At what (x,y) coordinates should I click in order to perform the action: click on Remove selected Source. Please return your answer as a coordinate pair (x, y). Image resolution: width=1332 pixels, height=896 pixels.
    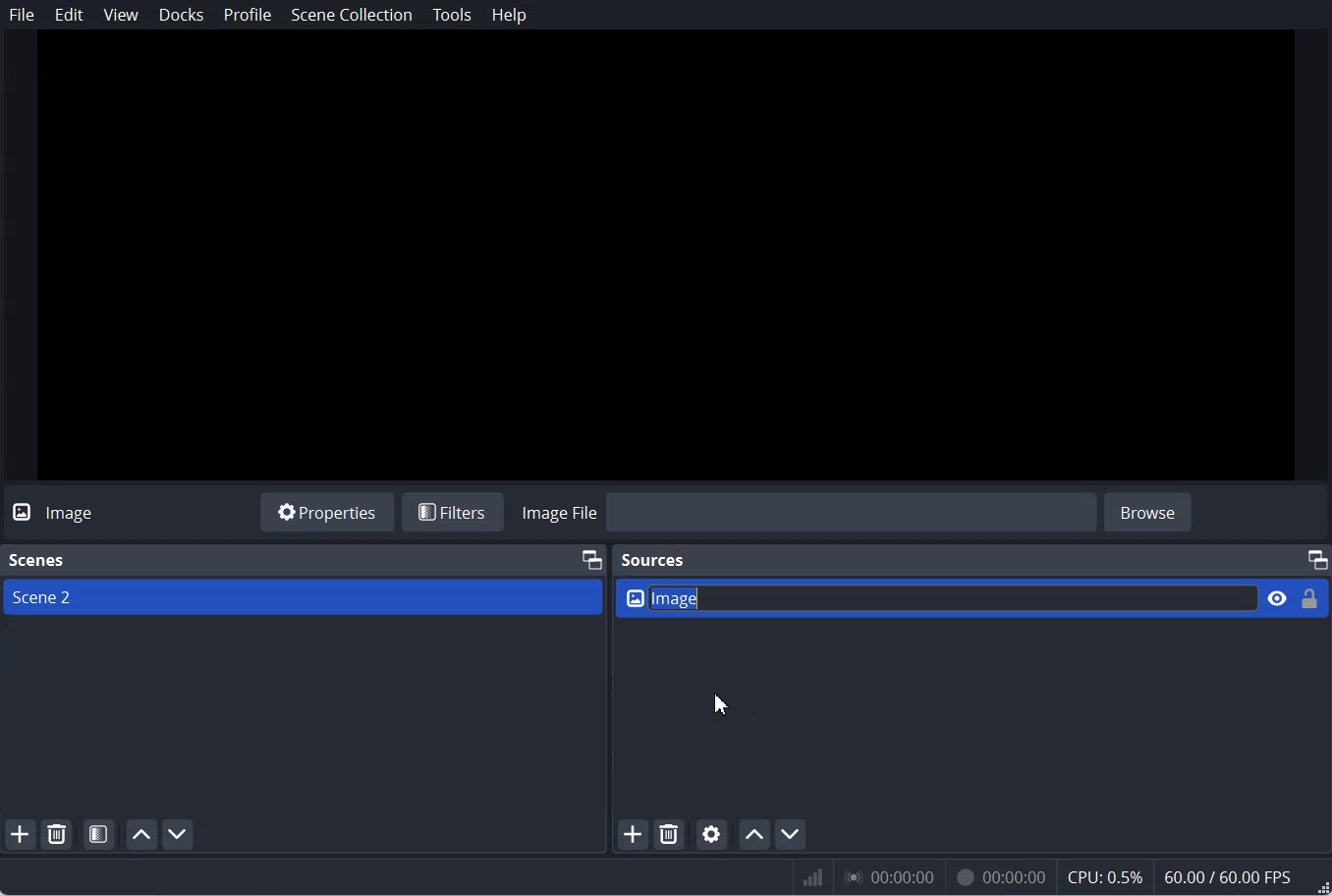
    Looking at the image, I should click on (670, 833).